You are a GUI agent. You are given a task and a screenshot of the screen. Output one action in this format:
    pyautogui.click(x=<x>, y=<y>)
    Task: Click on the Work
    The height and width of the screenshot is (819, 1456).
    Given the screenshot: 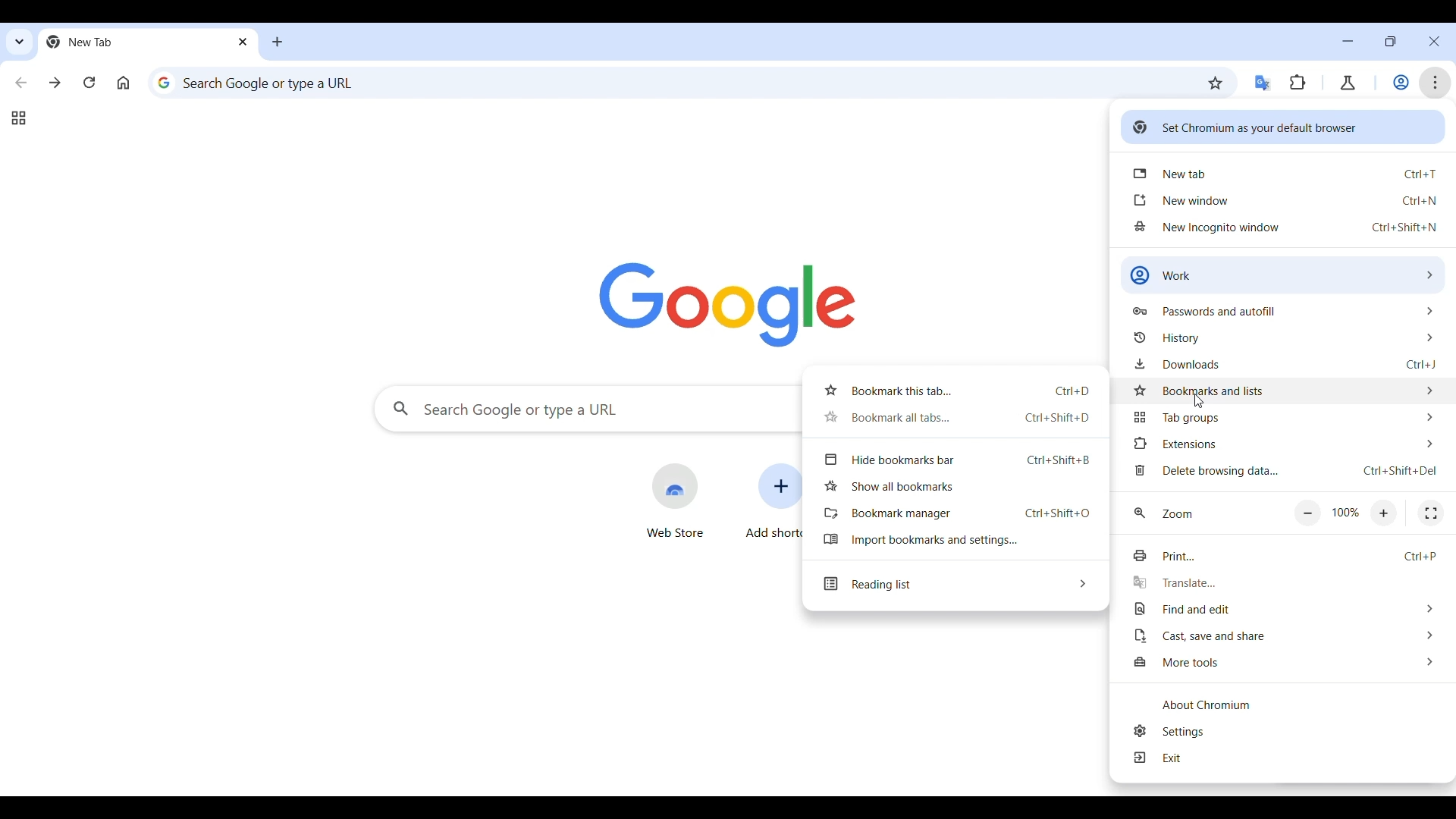 What is the action you would take?
    pyautogui.click(x=1401, y=82)
    